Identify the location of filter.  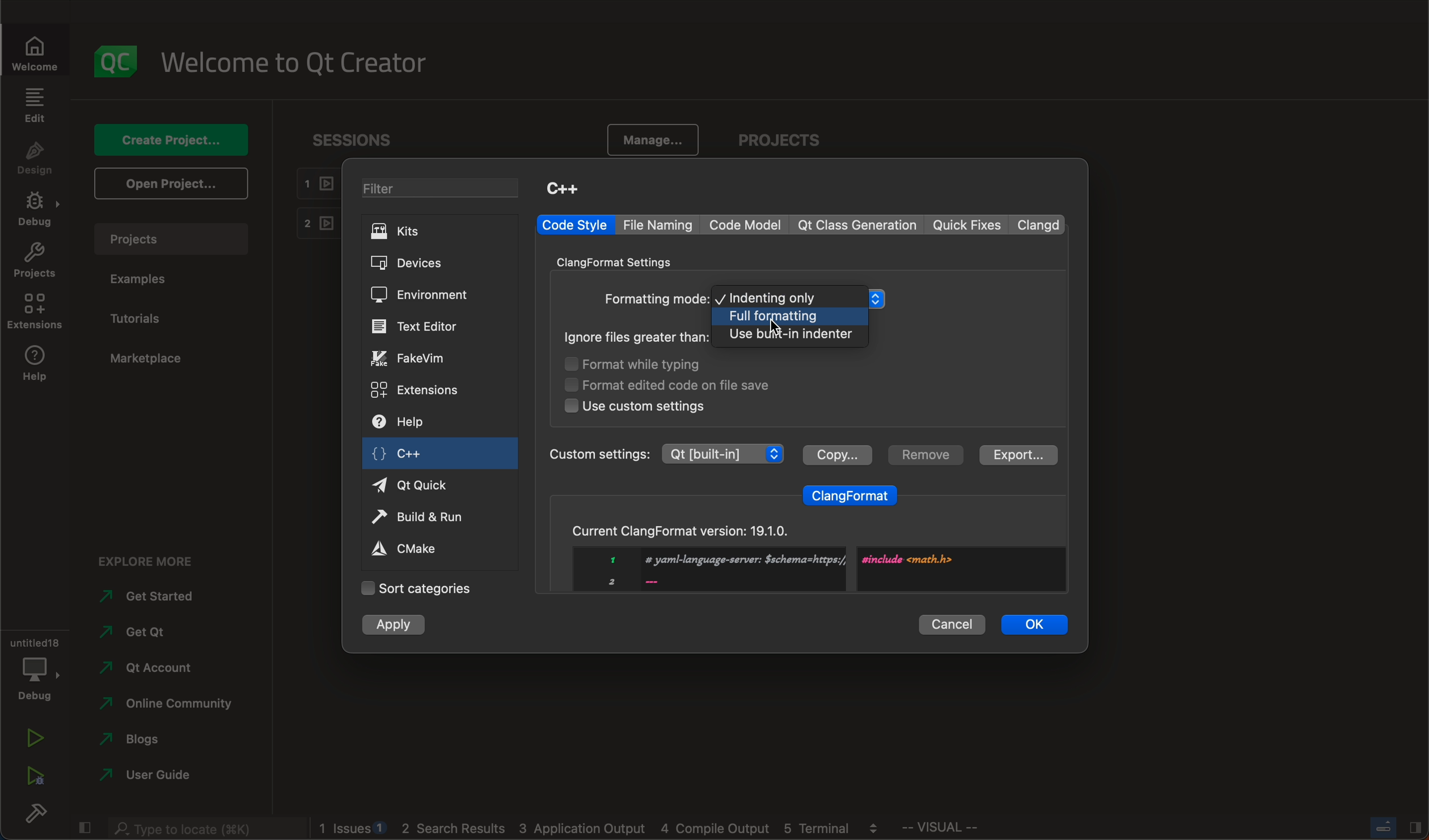
(445, 190).